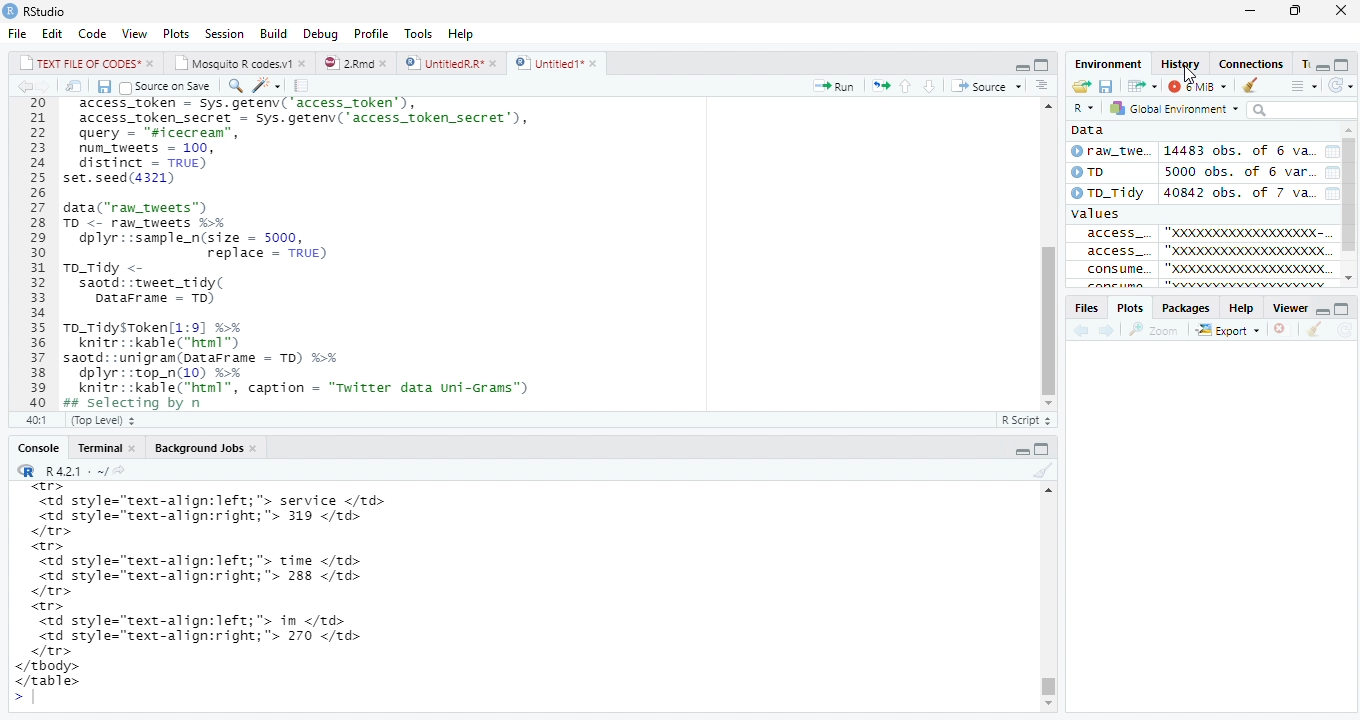 The height and width of the screenshot is (720, 1360). Describe the element at coordinates (1161, 330) in the screenshot. I see `Zoom ` at that location.